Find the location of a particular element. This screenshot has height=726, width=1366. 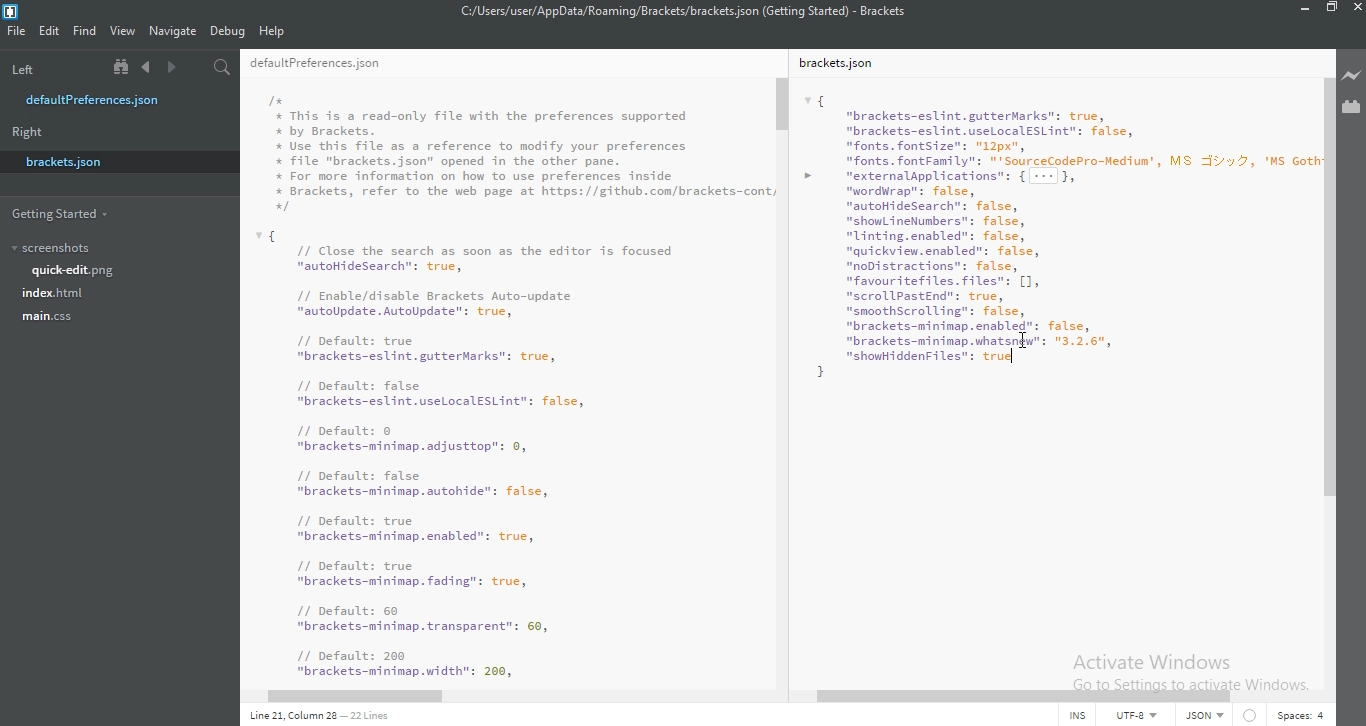

View  is located at coordinates (123, 30).